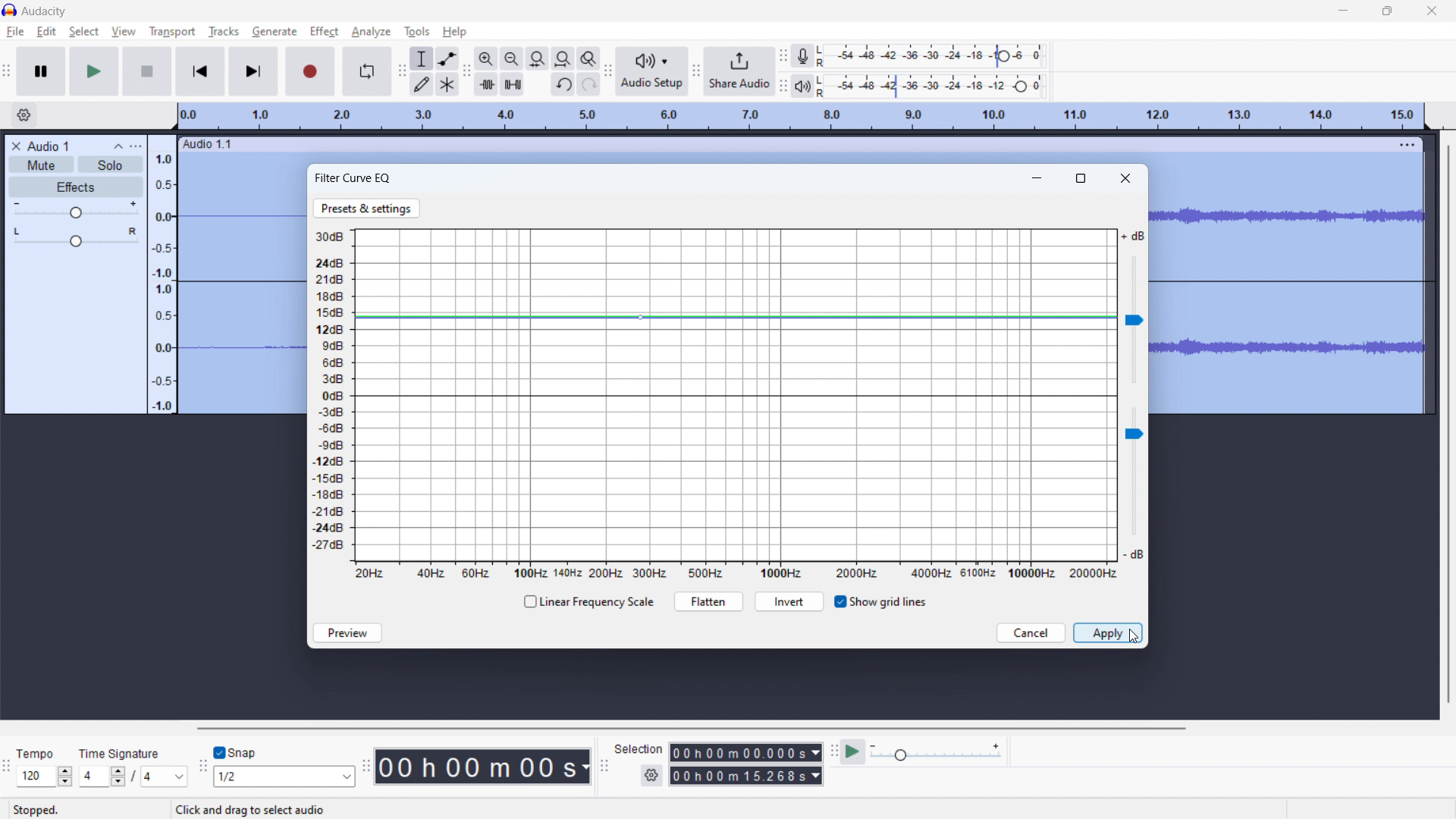  Describe the element at coordinates (880, 602) in the screenshot. I see `show grid lines toggle` at that location.